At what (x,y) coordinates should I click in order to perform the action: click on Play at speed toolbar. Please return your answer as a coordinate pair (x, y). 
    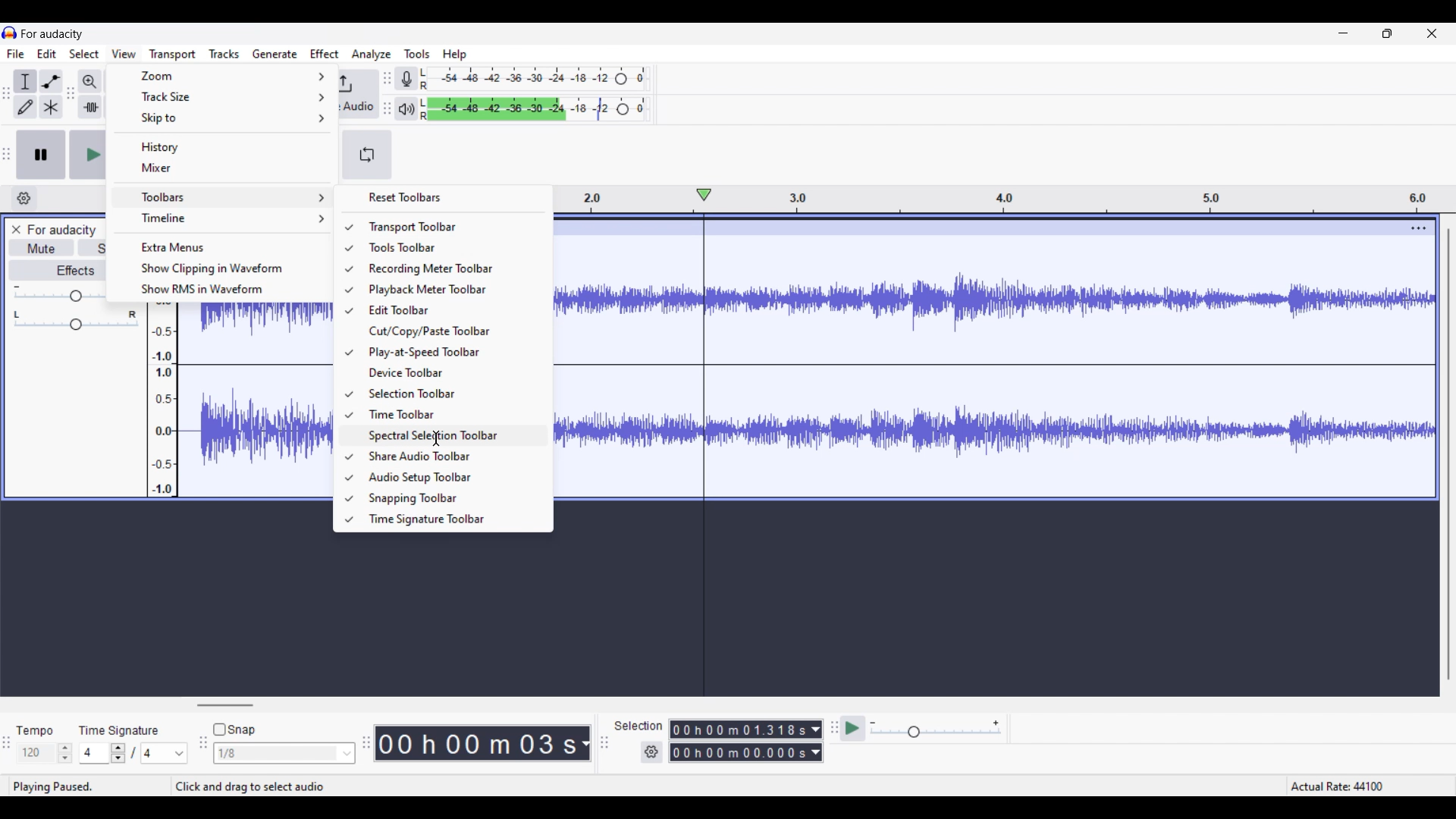
    Looking at the image, I should click on (451, 353).